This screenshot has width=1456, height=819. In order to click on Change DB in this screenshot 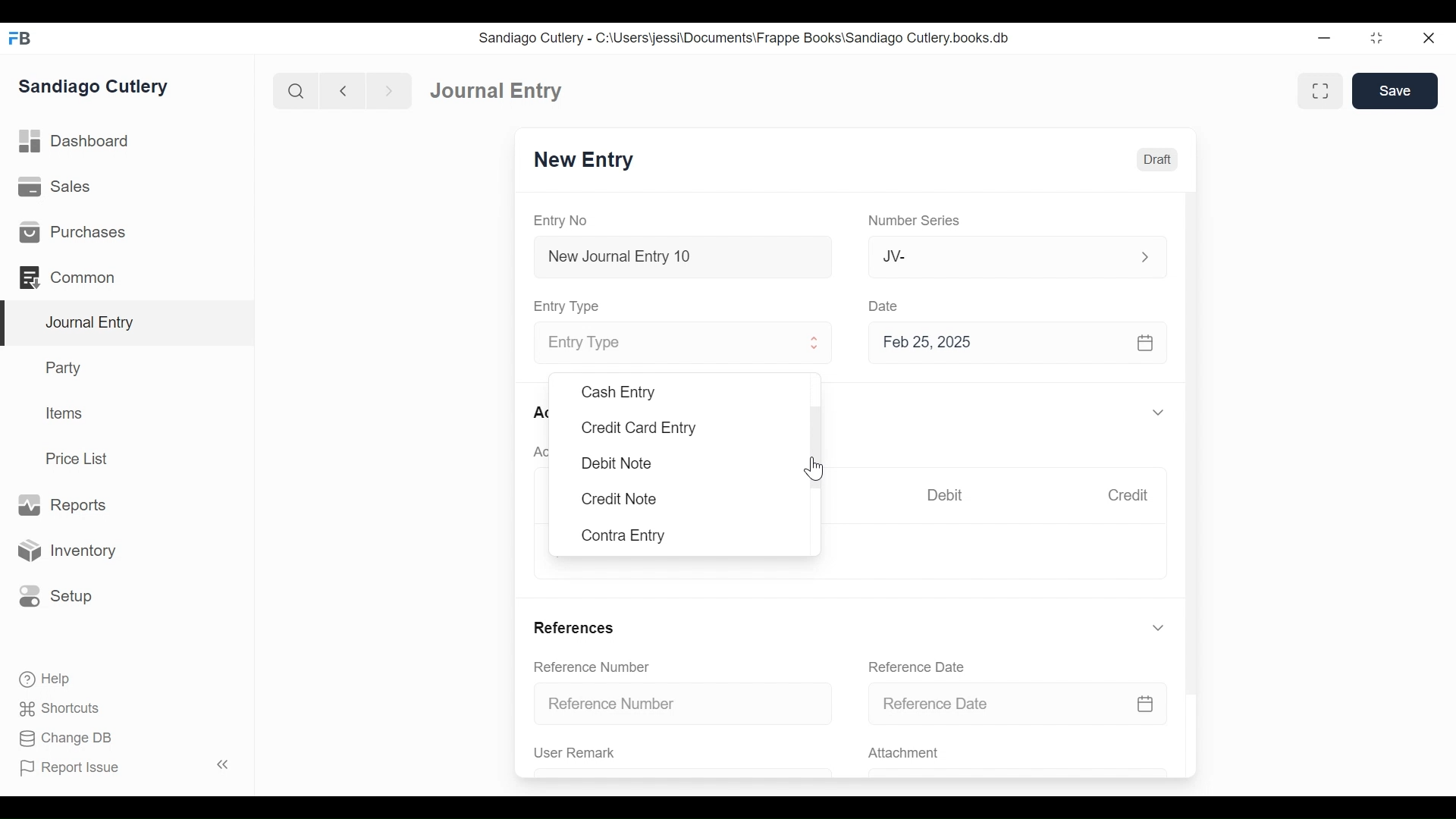, I will do `click(61, 738)`.